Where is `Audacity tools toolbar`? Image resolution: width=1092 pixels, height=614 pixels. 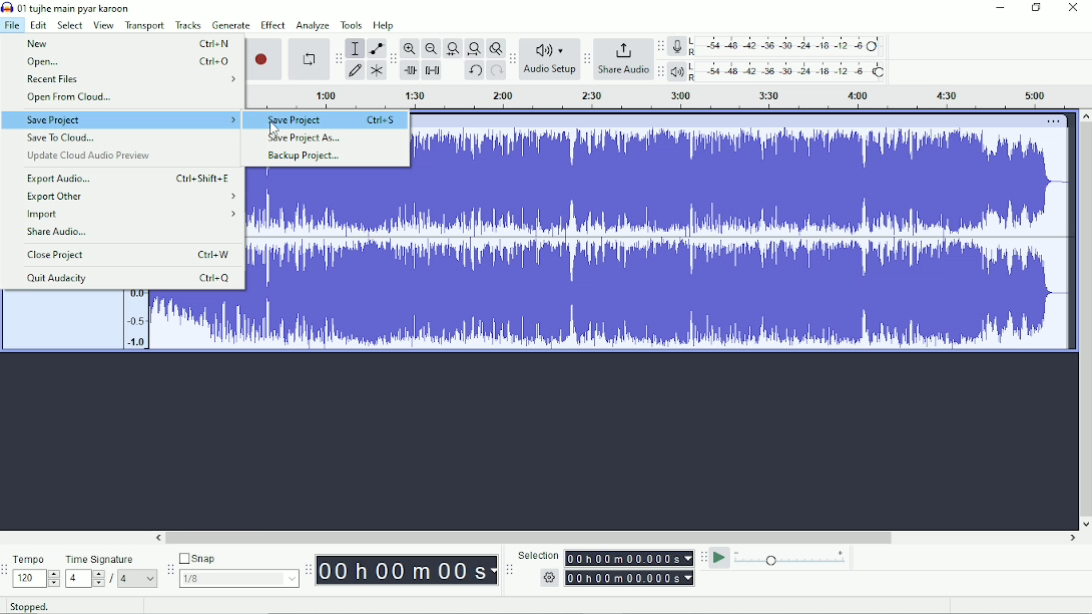
Audacity tools toolbar is located at coordinates (340, 57).